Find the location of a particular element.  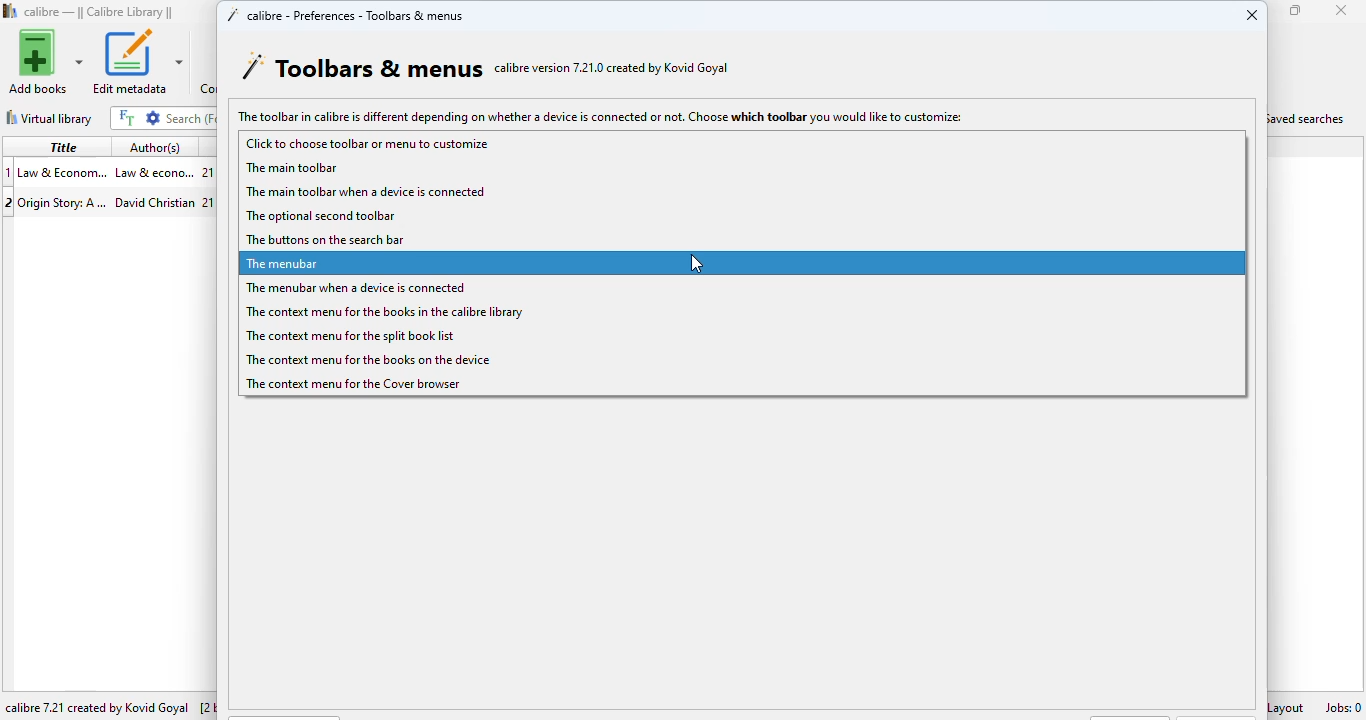

advanced search is located at coordinates (153, 118).